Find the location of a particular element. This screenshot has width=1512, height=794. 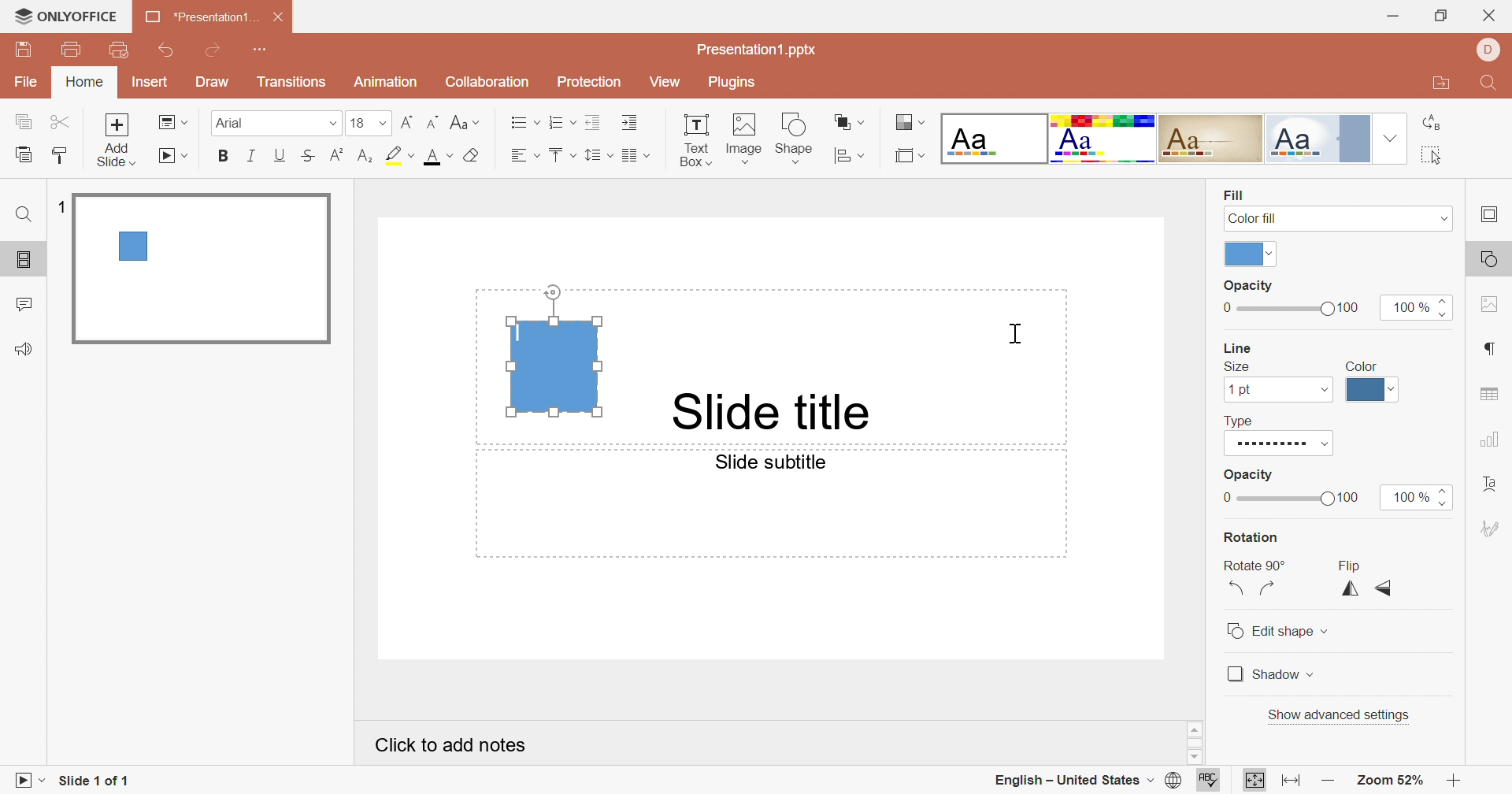

Italic is located at coordinates (252, 156).